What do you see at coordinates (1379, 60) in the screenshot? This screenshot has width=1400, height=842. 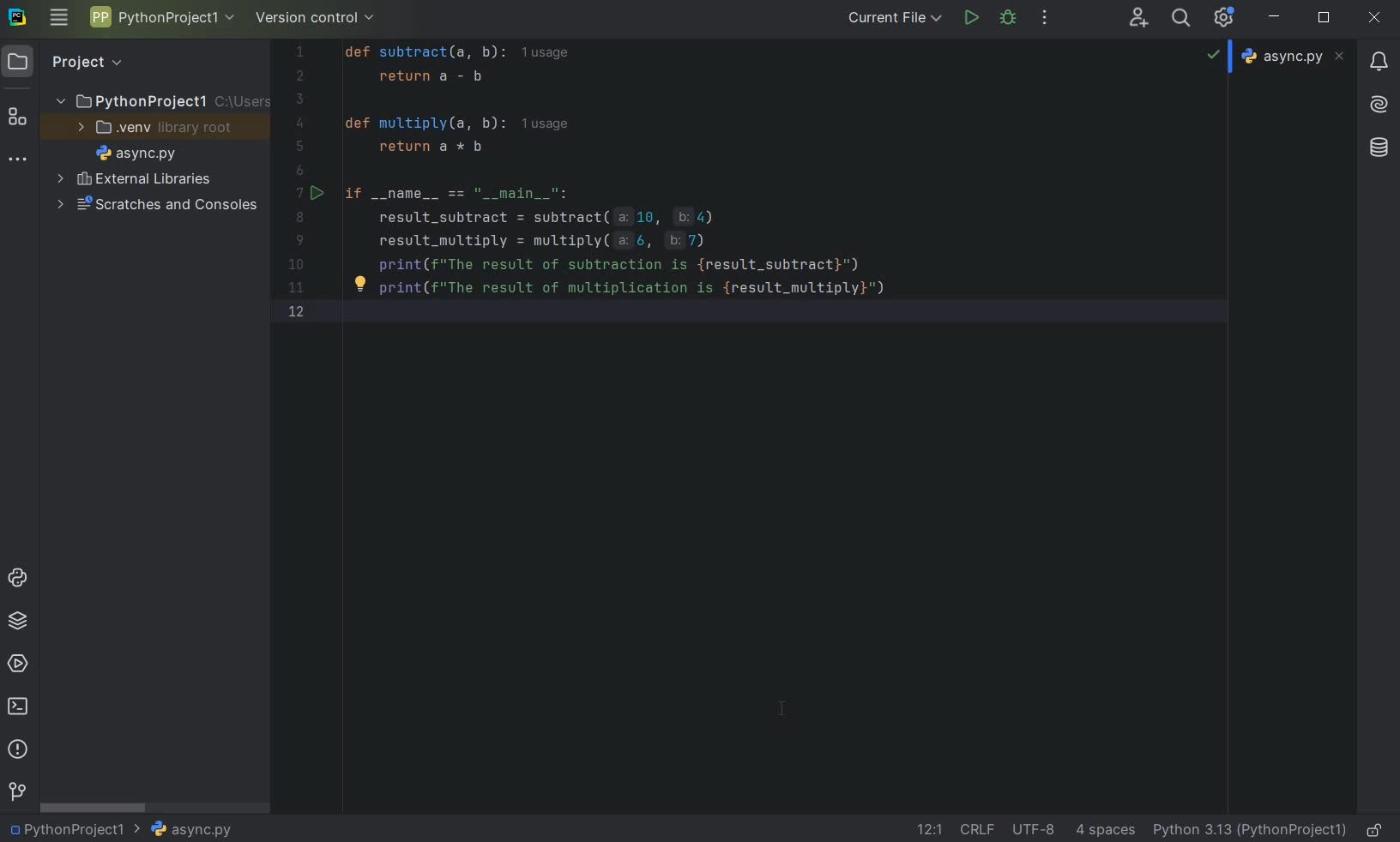 I see `updates` at bounding box center [1379, 60].